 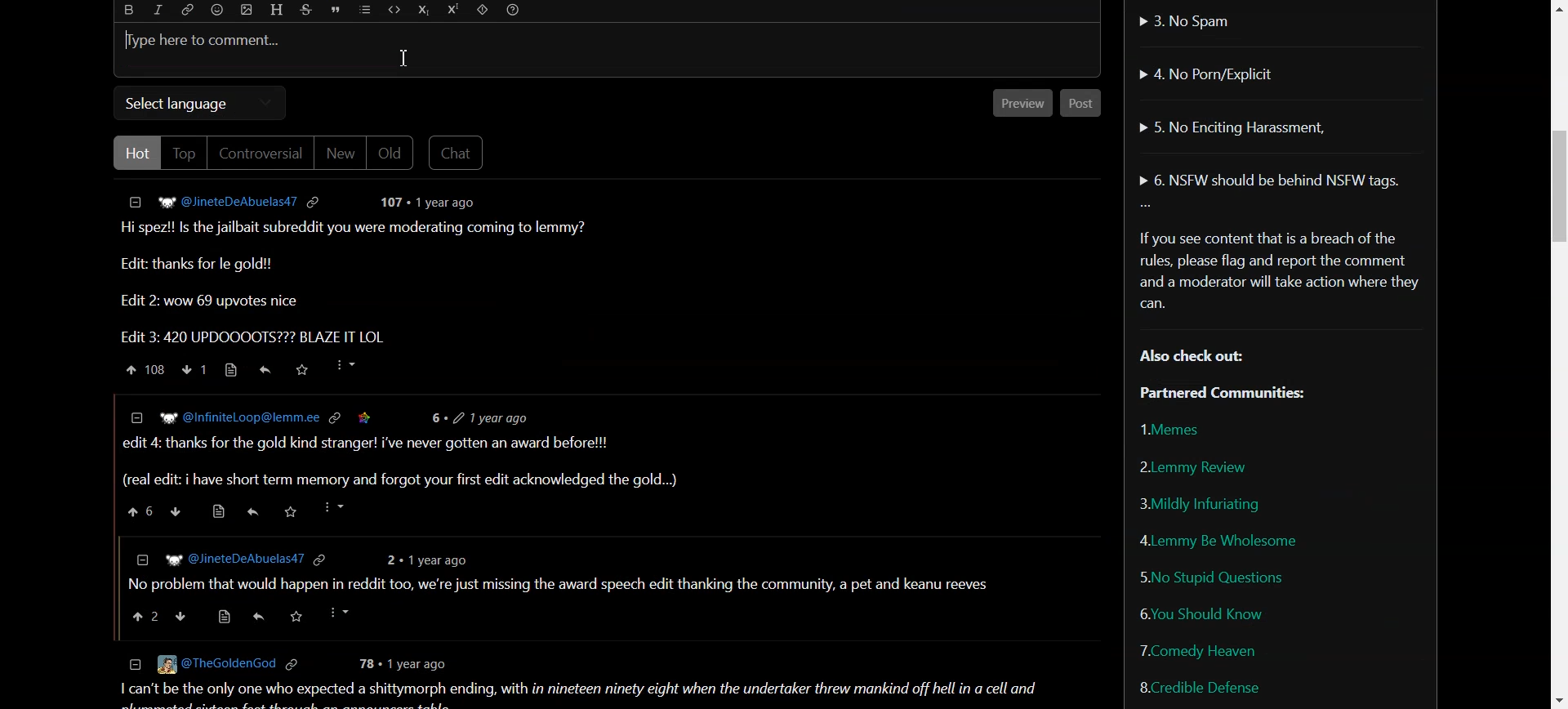 What do you see at coordinates (1214, 576) in the screenshot?
I see `No Stupid Questions` at bounding box center [1214, 576].